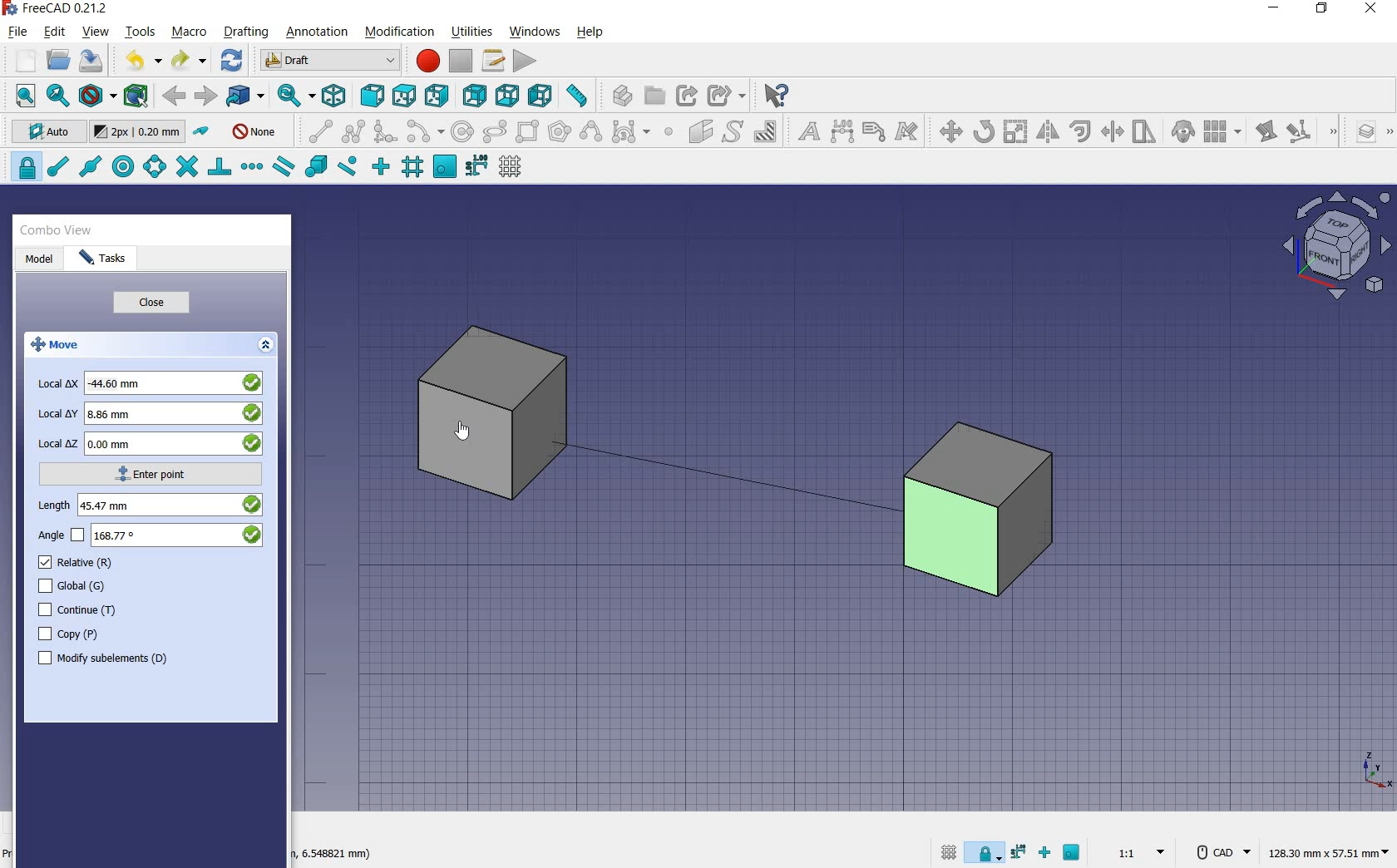 Image resolution: width=1397 pixels, height=868 pixels. I want to click on copy, so click(72, 635).